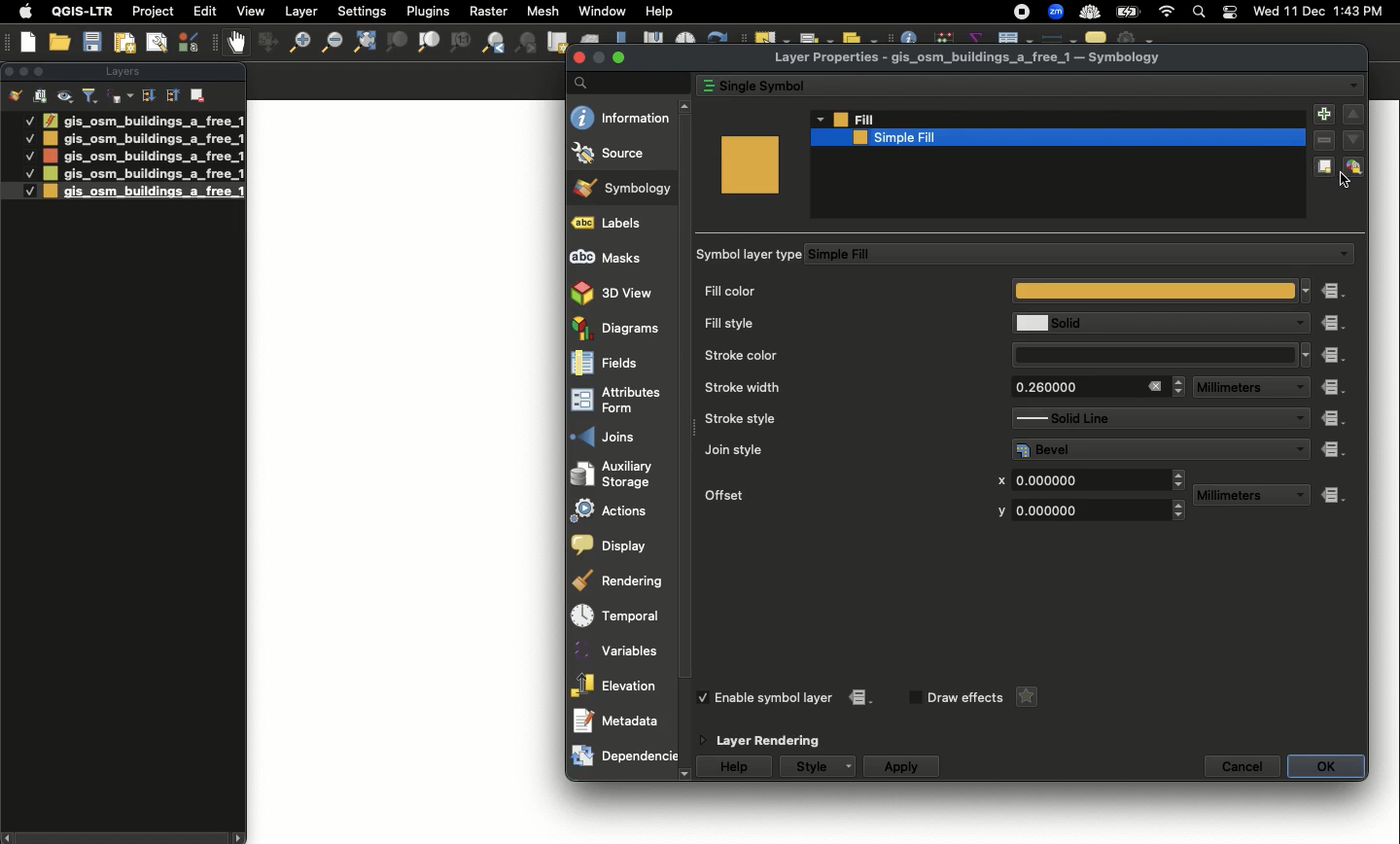  What do you see at coordinates (707, 697) in the screenshot?
I see `checked` at bounding box center [707, 697].